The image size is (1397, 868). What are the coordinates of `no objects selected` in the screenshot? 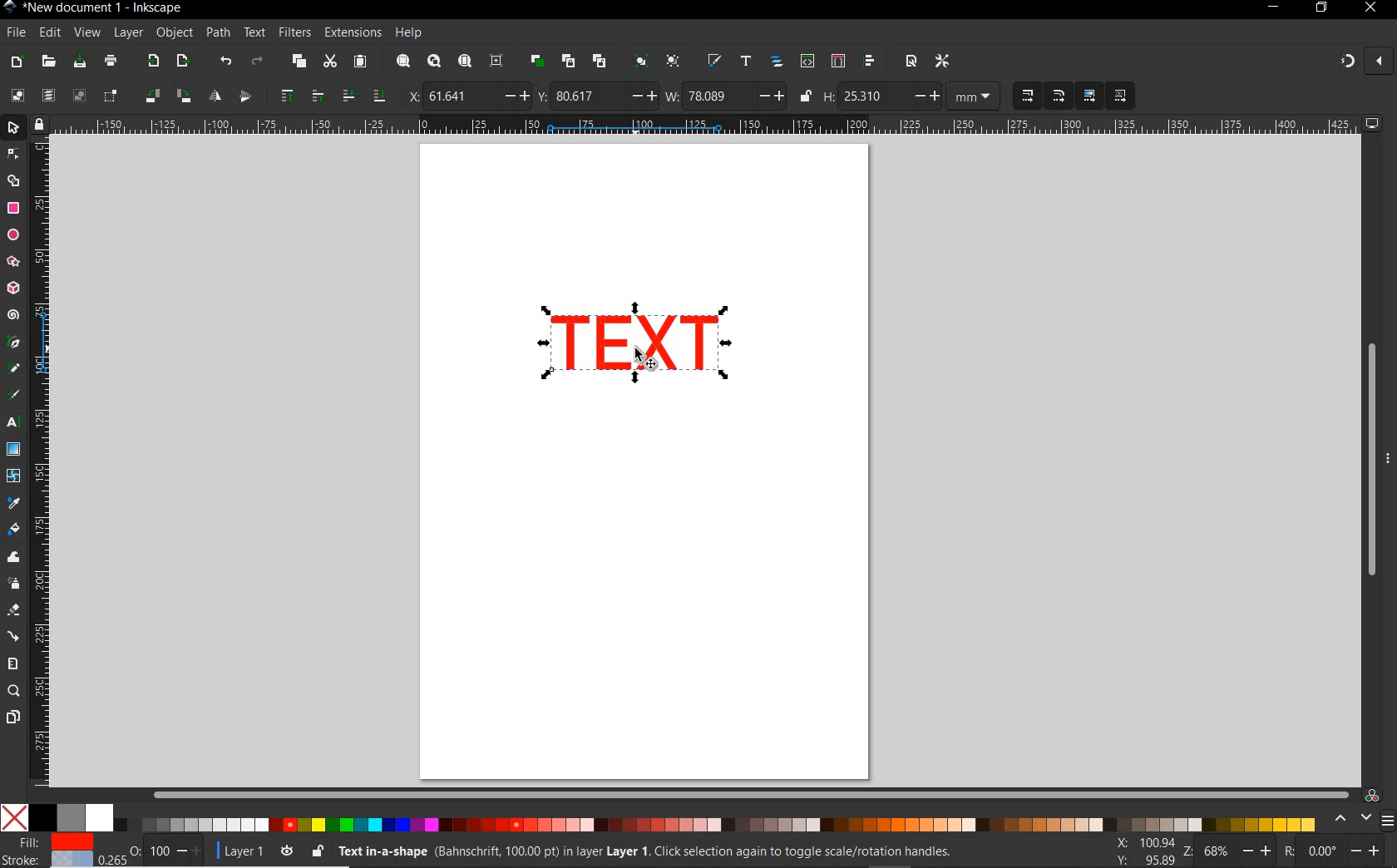 It's located at (637, 851).